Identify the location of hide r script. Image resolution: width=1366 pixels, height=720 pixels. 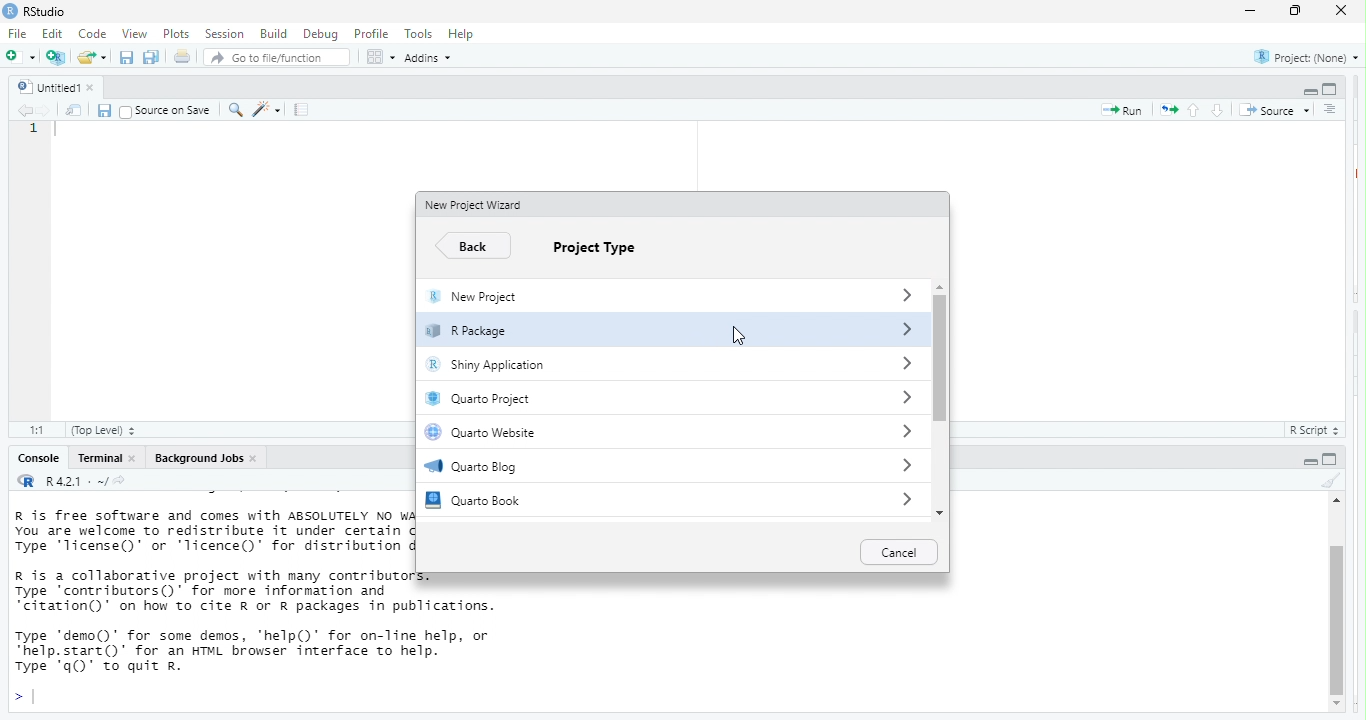
(1307, 91).